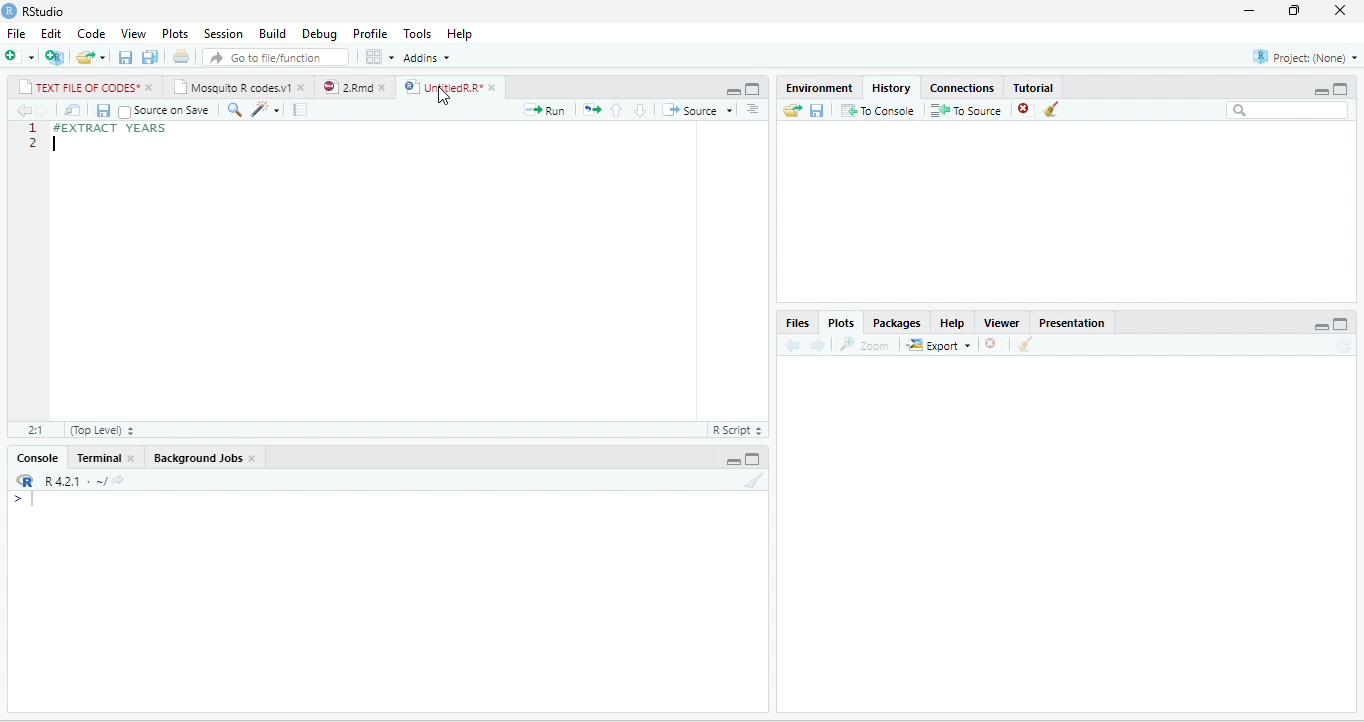  I want to click on save all, so click(149, 56).